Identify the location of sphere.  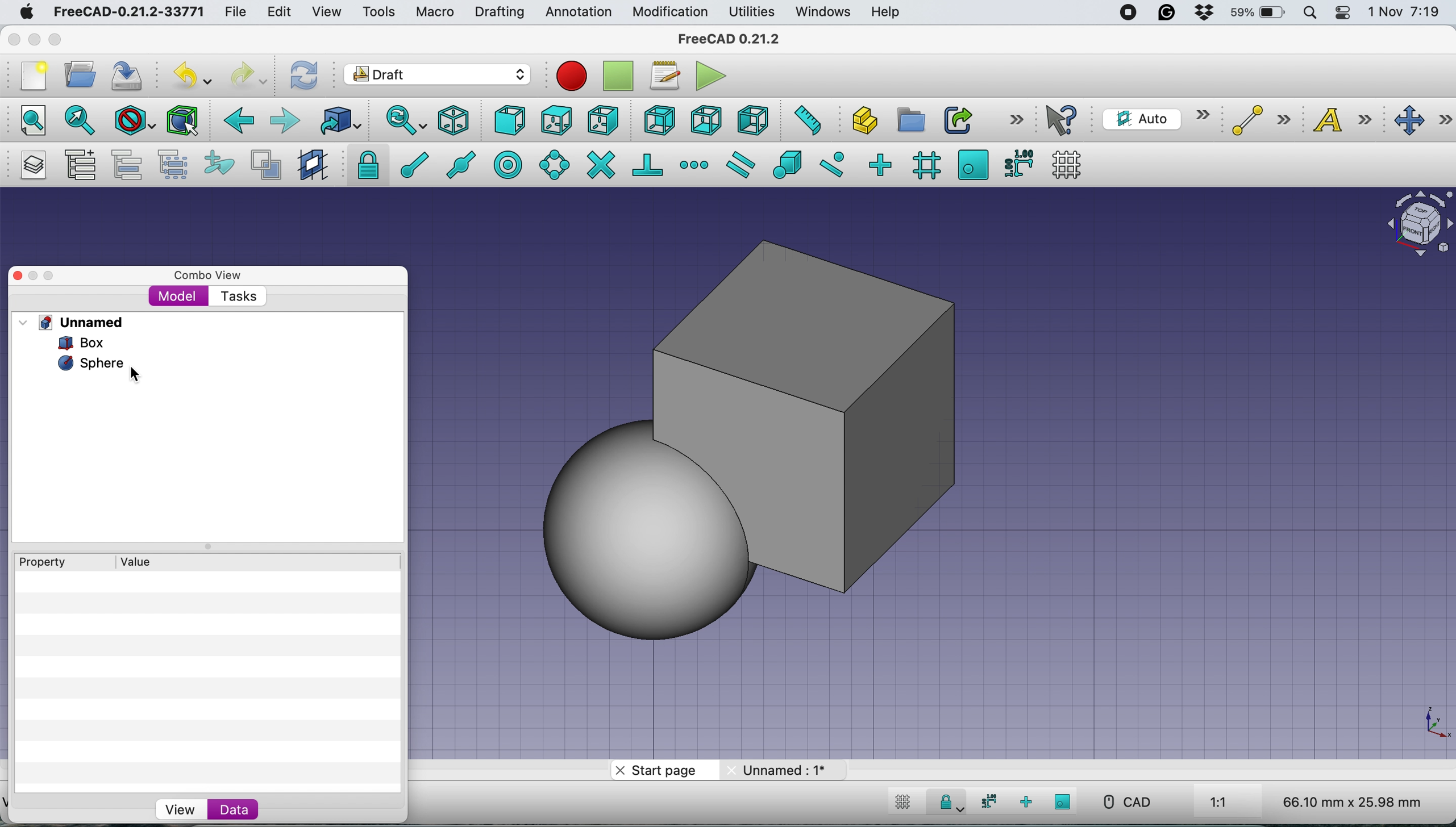
(643, 531).